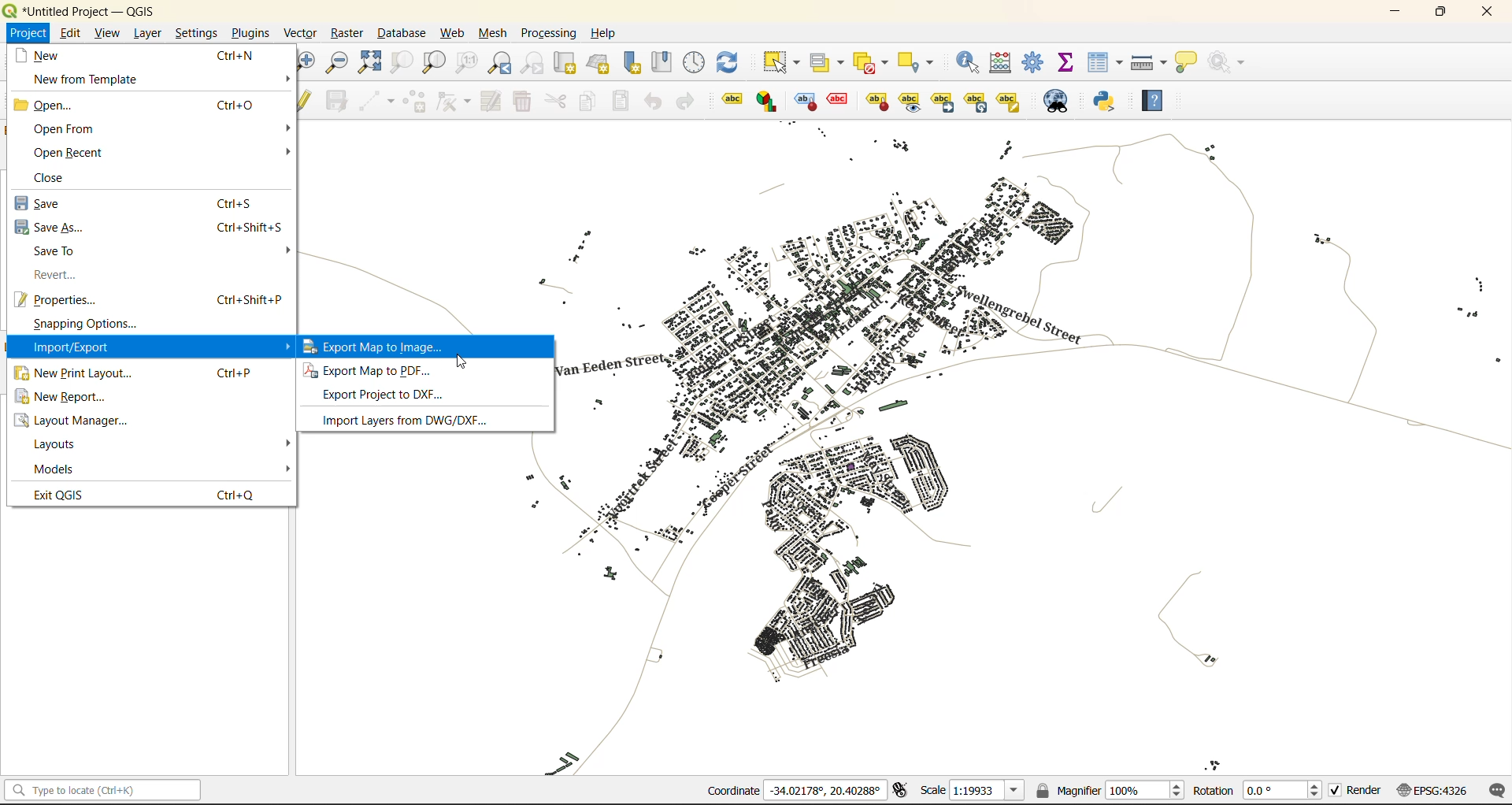  I want to click on show spatial bookmark, so click(665, 64).